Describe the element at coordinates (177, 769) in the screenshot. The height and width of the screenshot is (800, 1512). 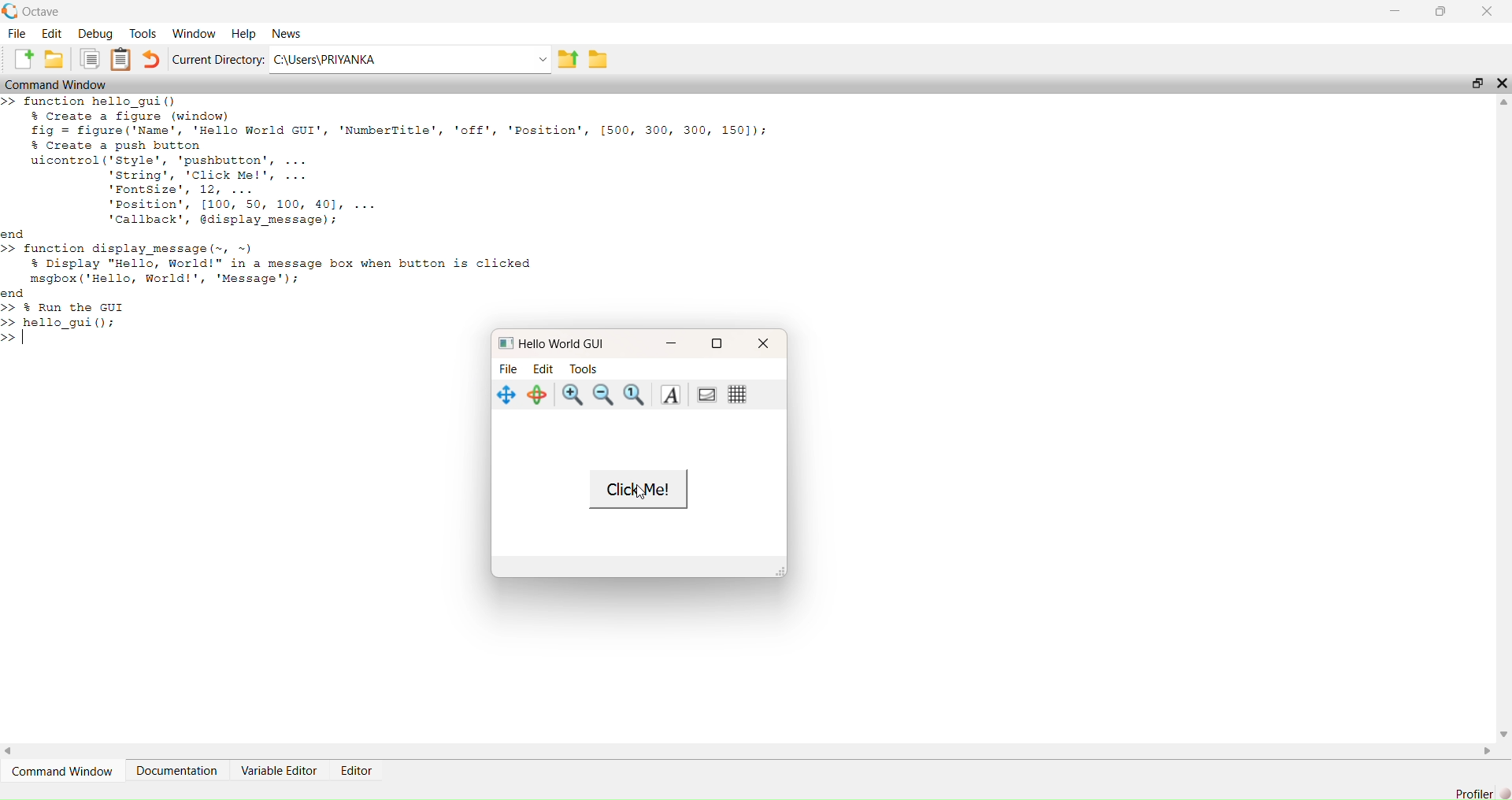
I see `Documentation` at that location.